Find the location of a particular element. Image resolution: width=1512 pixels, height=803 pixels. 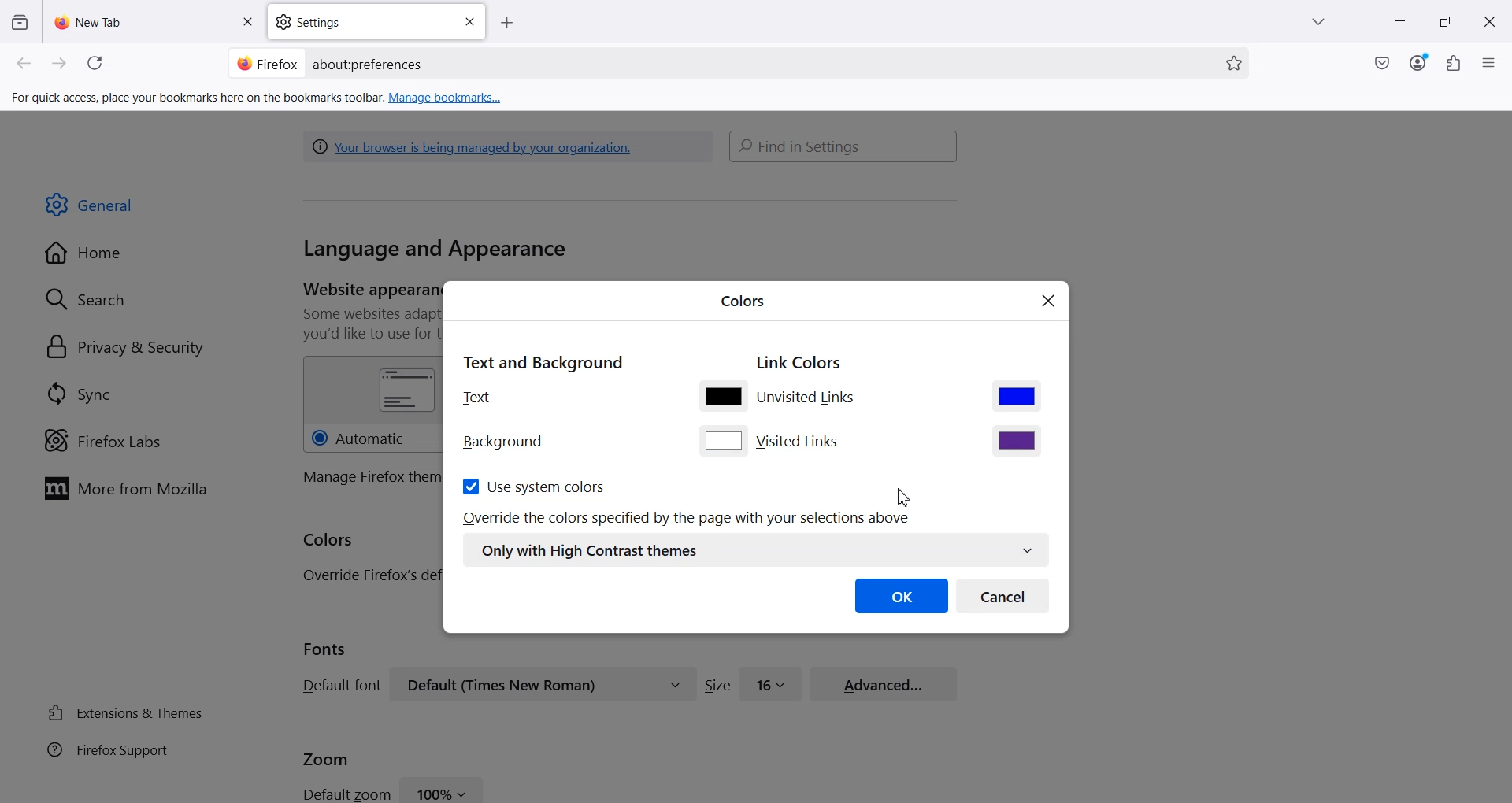

Firefox is located at coordinates (267, 62).